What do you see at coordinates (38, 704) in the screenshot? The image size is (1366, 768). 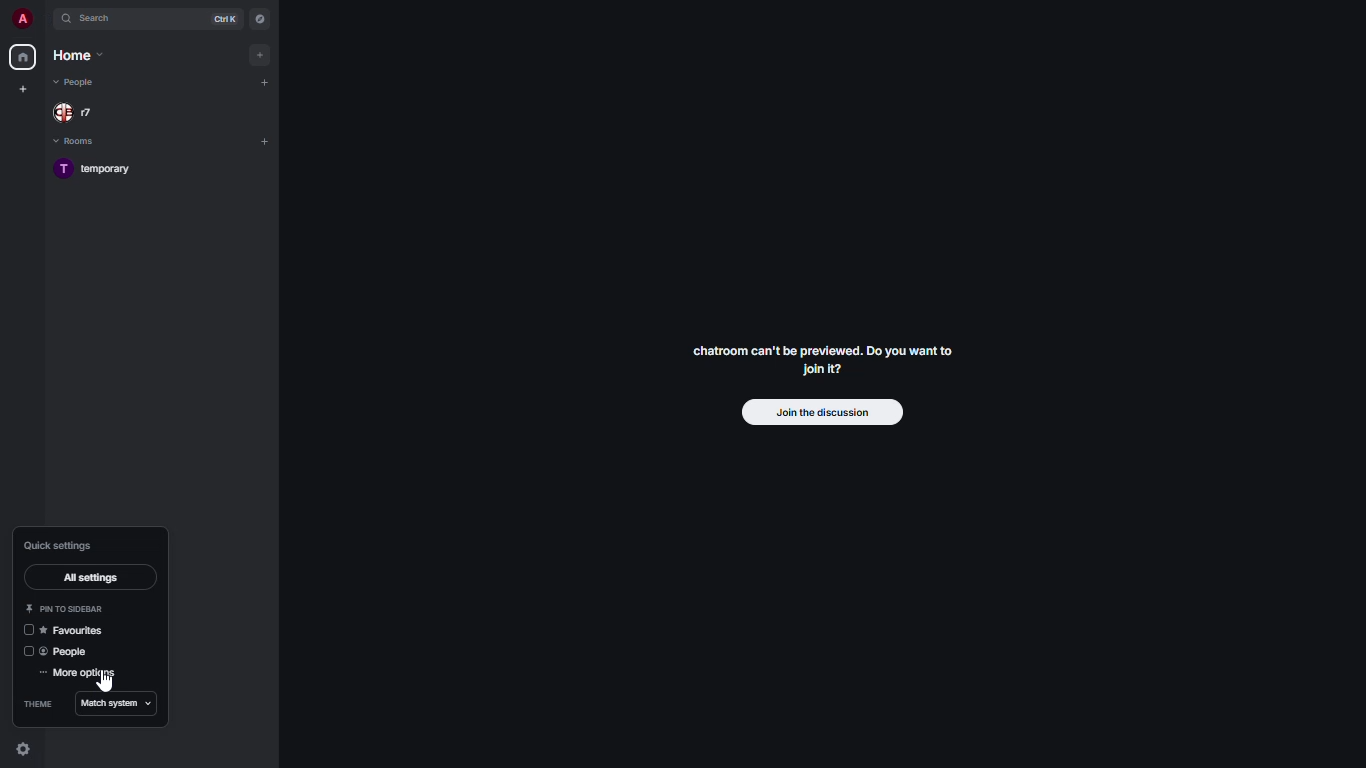 I see `theme` at bounding box center [38, 704].